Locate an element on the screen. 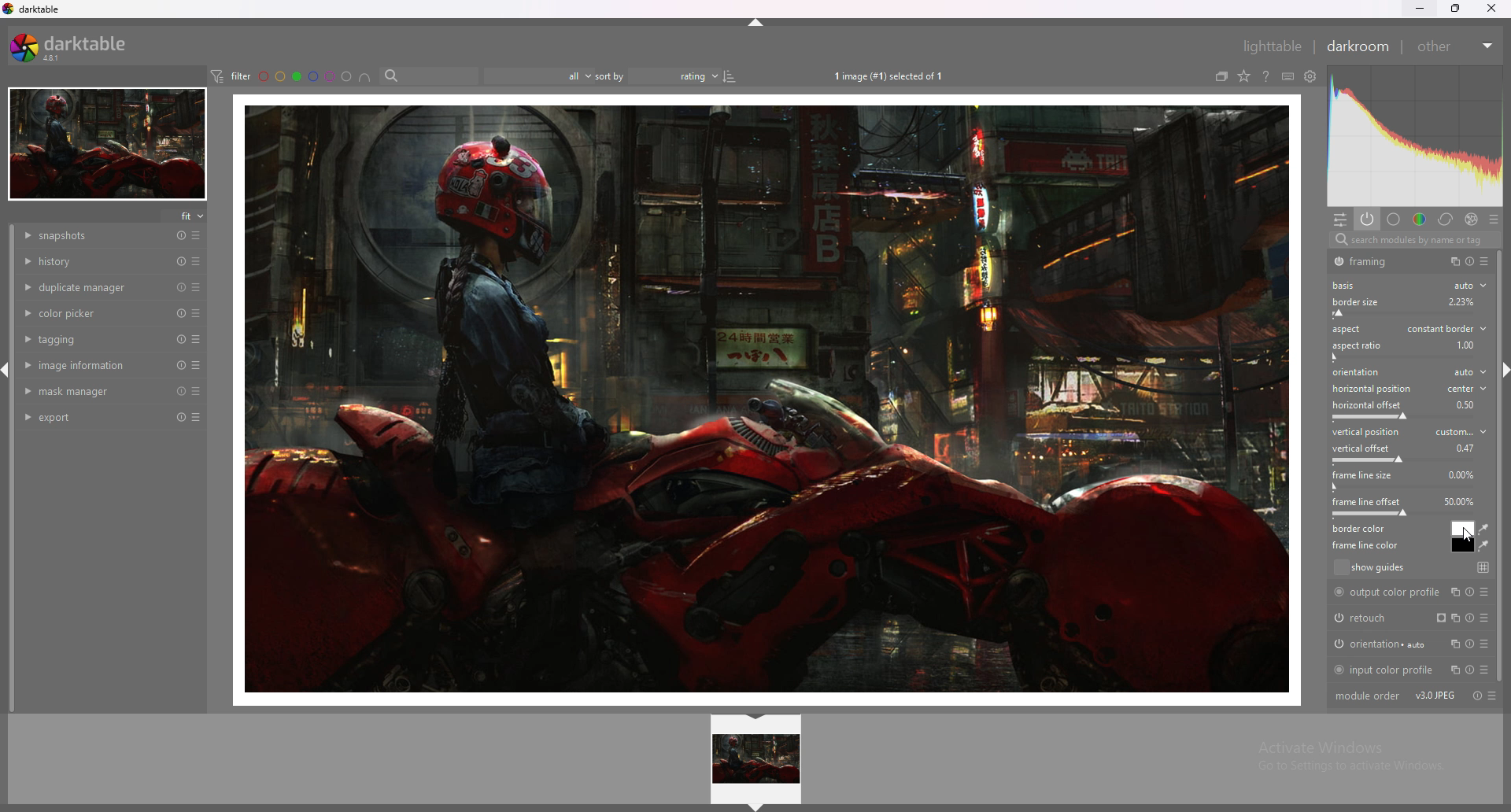 Image resolution: width=1511 pixels, height=812 pixels. darkroom is located at coordinates (1357, 46).